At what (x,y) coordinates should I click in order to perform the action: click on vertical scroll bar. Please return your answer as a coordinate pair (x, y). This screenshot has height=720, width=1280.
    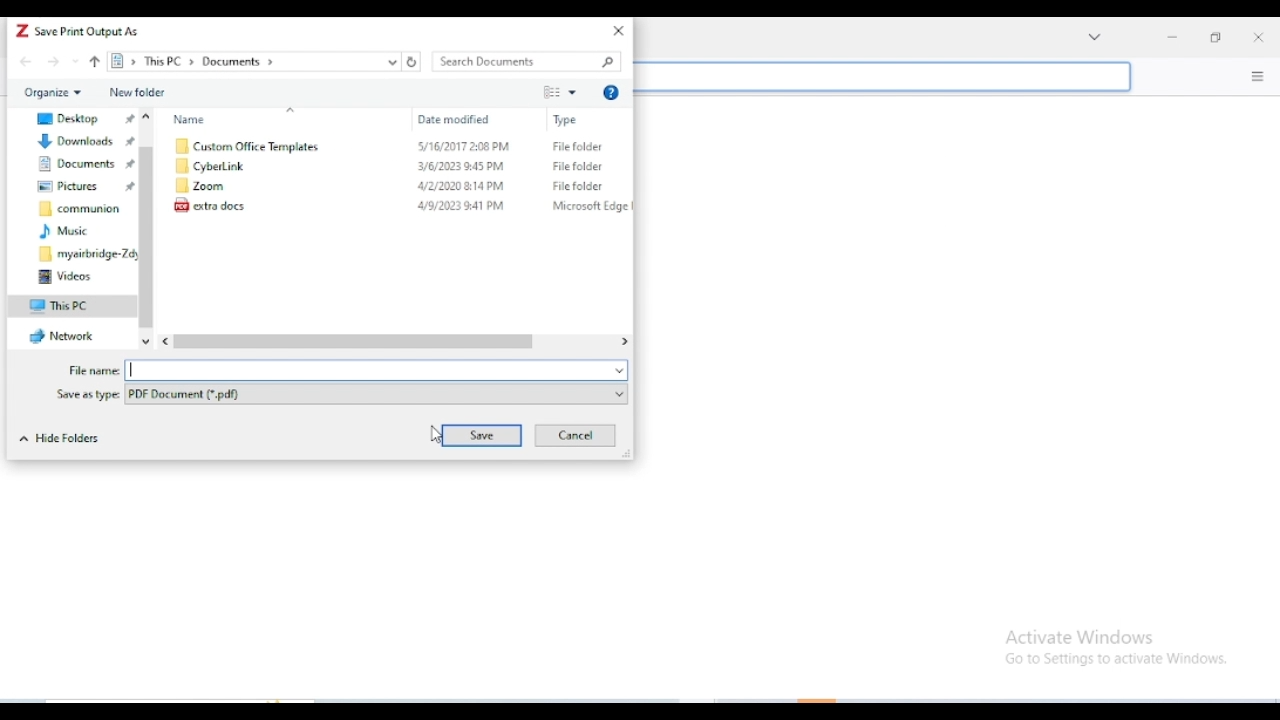
    Looking at the image, I should click on (149, 229).